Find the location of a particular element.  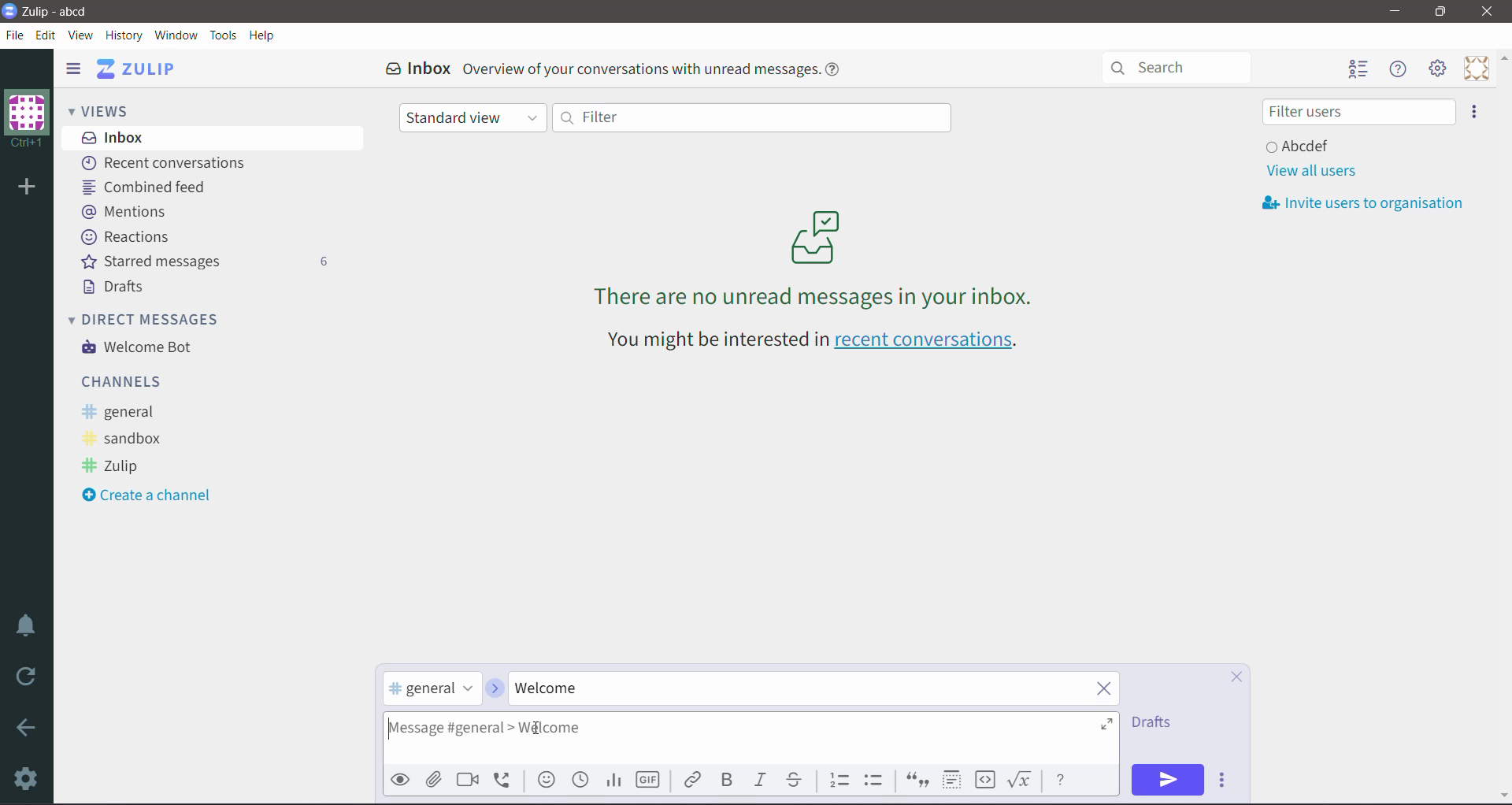

Code is located at coordinates (985, 781).